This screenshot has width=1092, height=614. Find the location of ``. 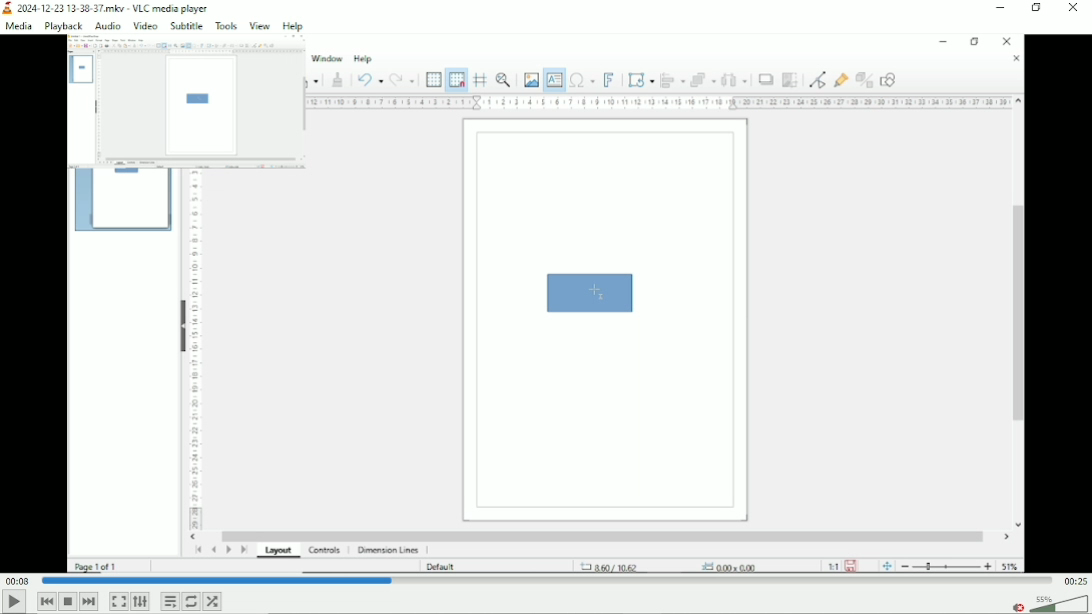

 is located at coordinates (106, 25).